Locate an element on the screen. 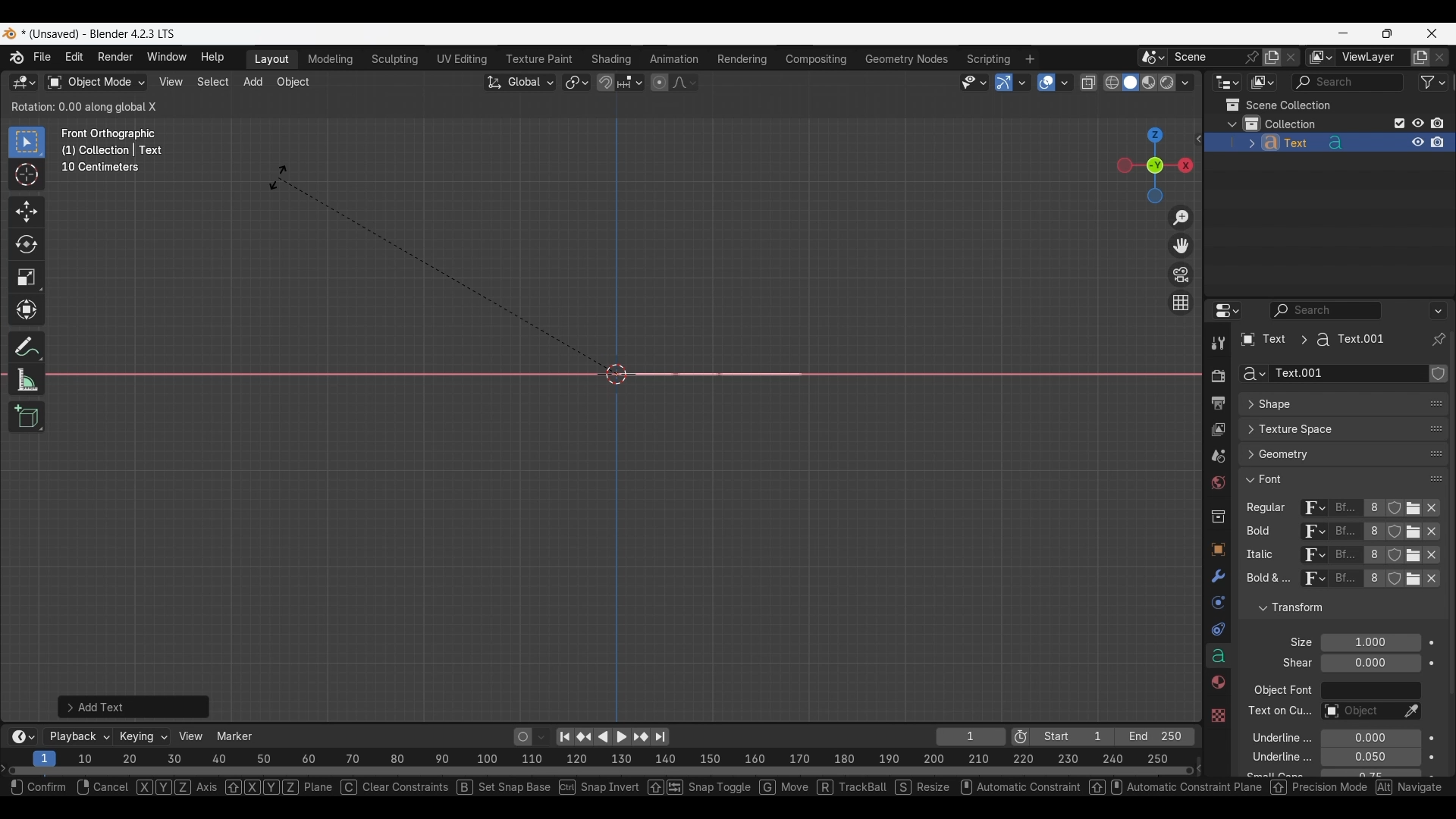  Render is located at coordinates (1217, 375).